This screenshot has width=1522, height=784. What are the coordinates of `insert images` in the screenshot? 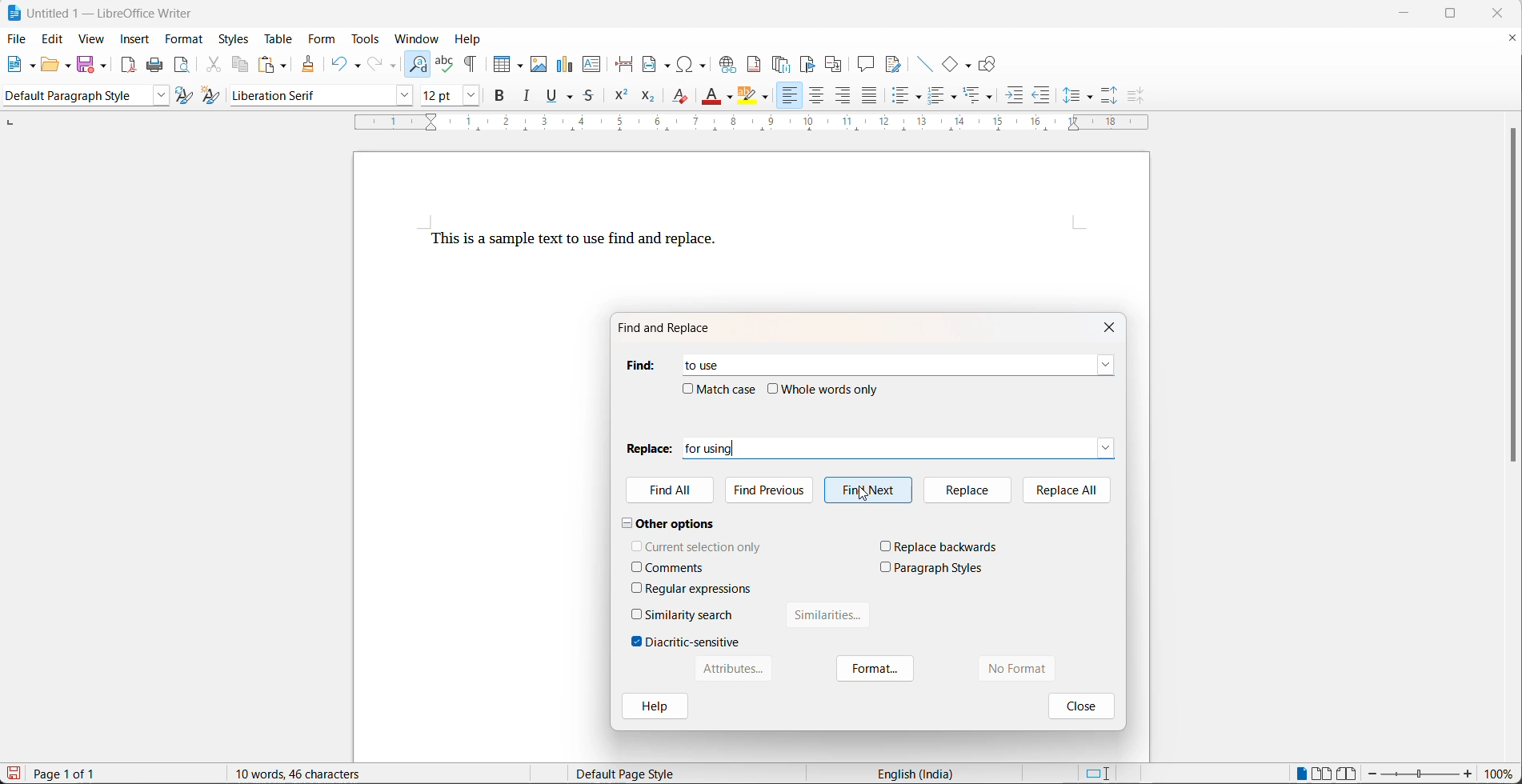 It's located at (540, 58).